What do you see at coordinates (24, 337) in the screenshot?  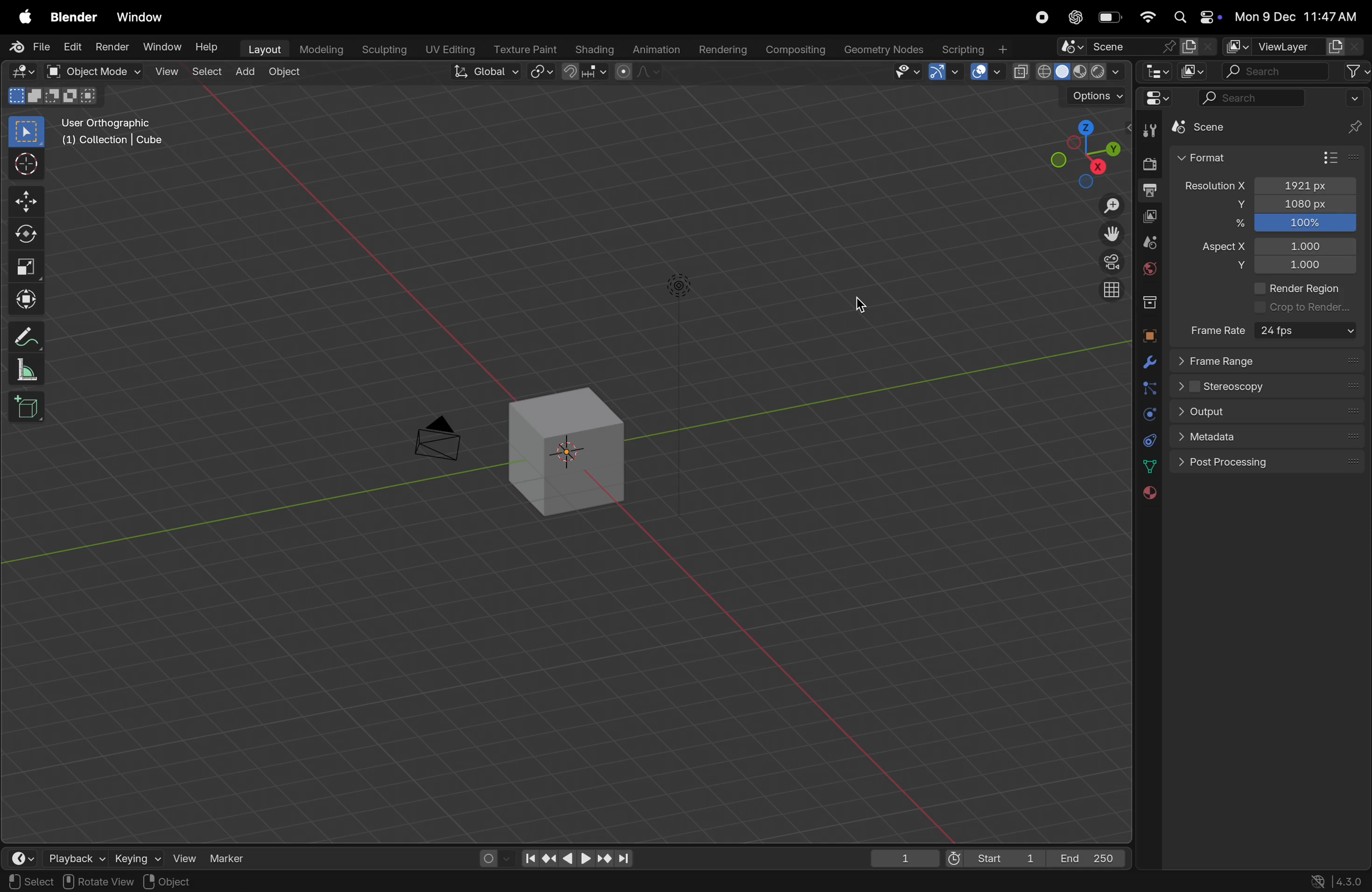 I see `annotate` at bounding box center [24, 337].